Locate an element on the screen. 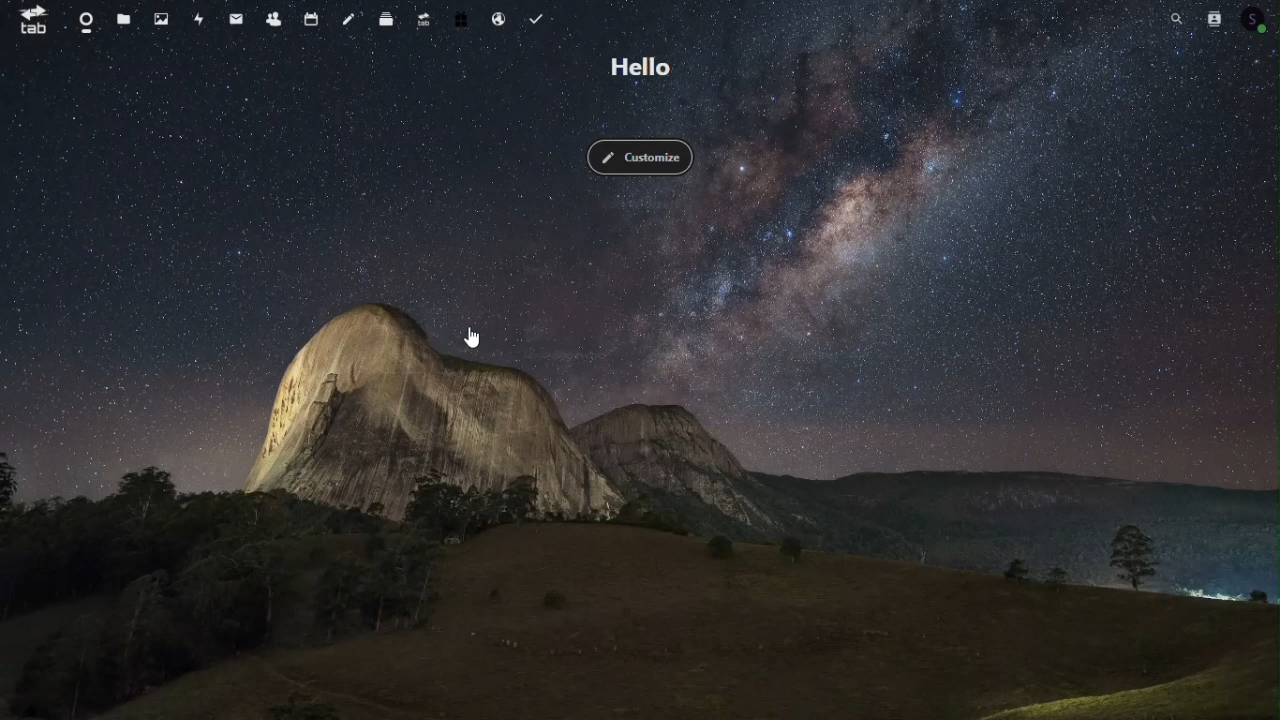  Activity is located at coordinates (202, 17).